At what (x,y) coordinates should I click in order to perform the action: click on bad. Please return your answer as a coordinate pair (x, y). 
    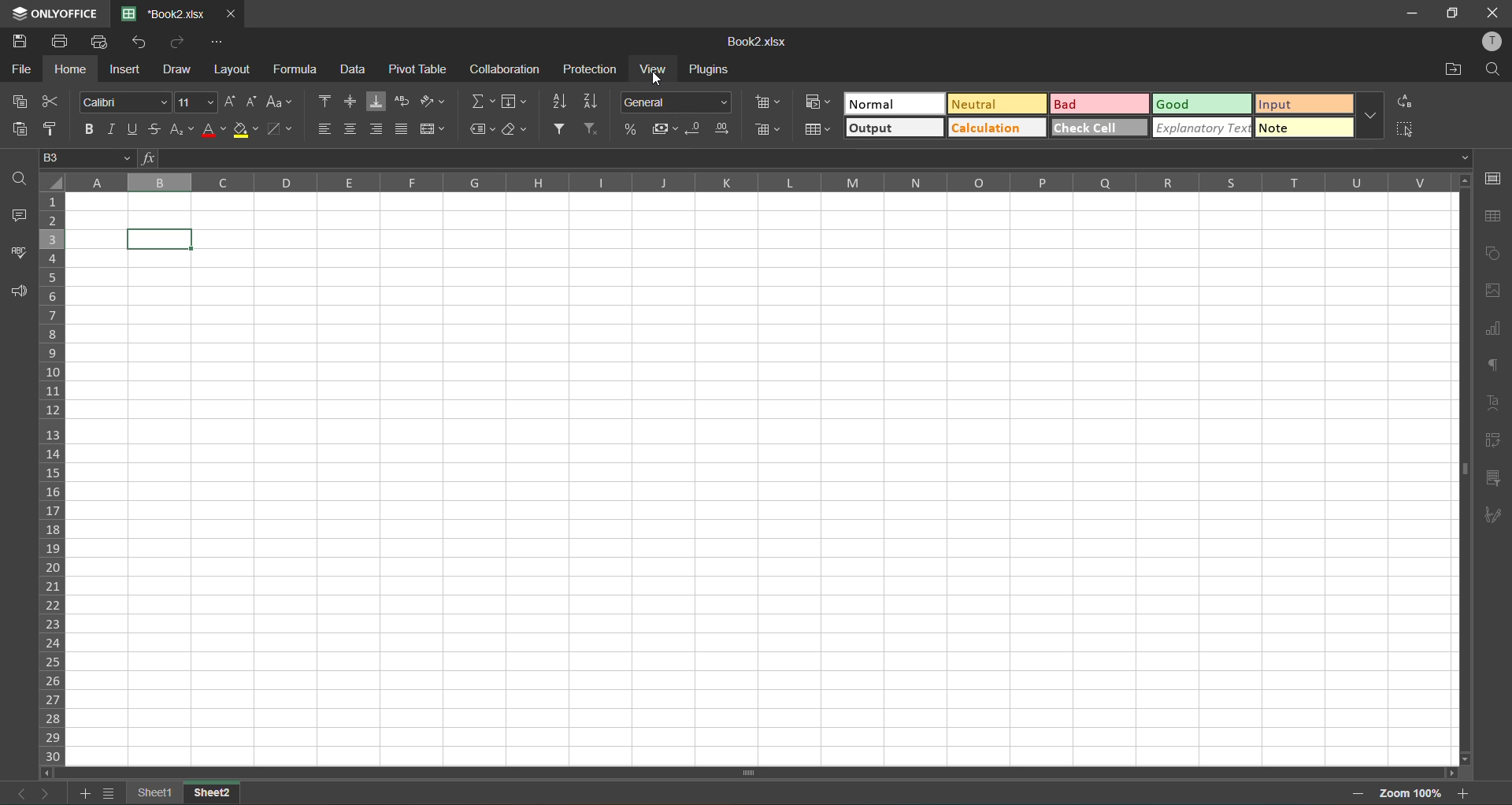
    Looking at the image, I should click on (1101, 107).